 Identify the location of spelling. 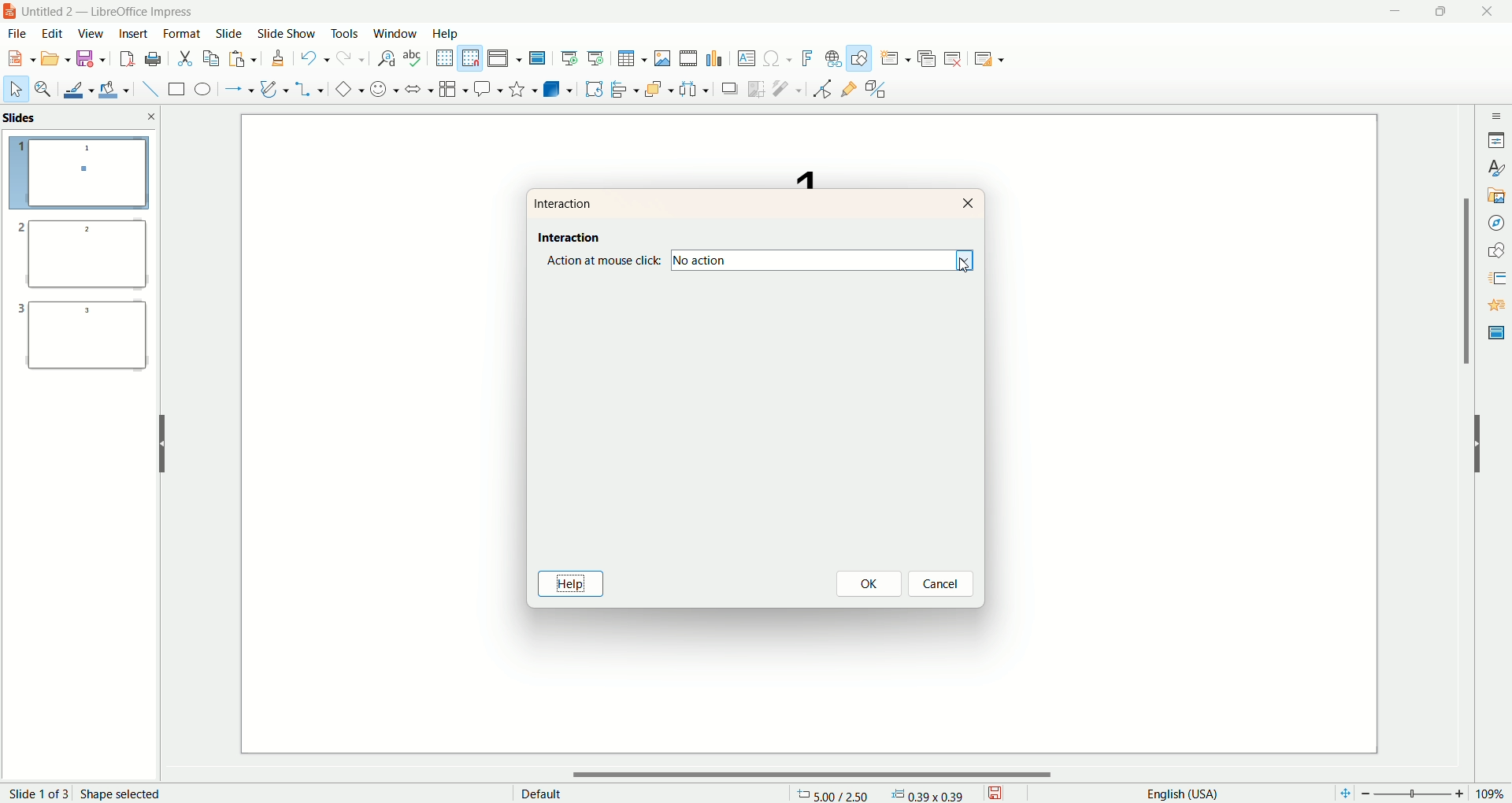
(413, 58).